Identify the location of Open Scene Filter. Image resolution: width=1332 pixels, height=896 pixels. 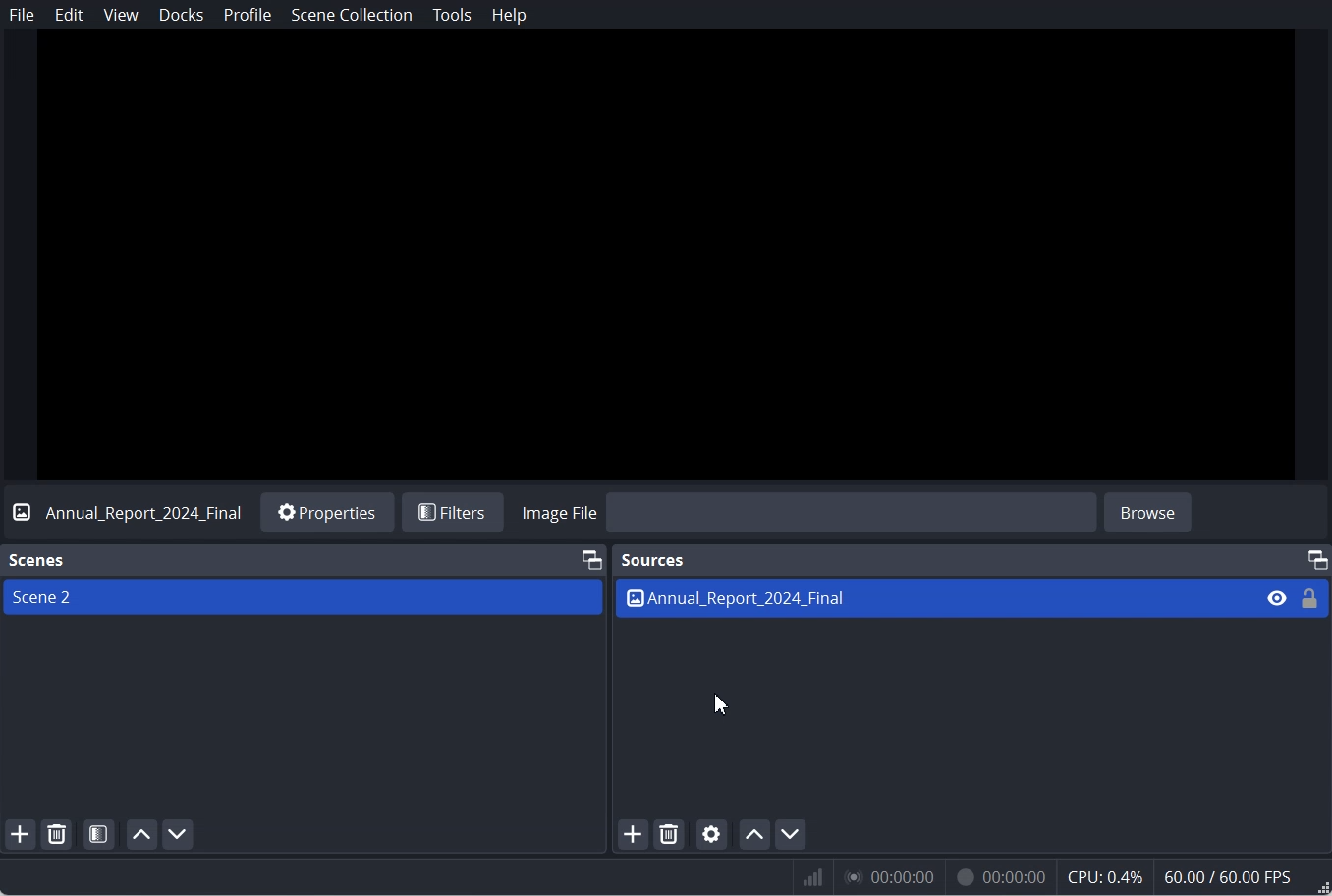
(99, 834).